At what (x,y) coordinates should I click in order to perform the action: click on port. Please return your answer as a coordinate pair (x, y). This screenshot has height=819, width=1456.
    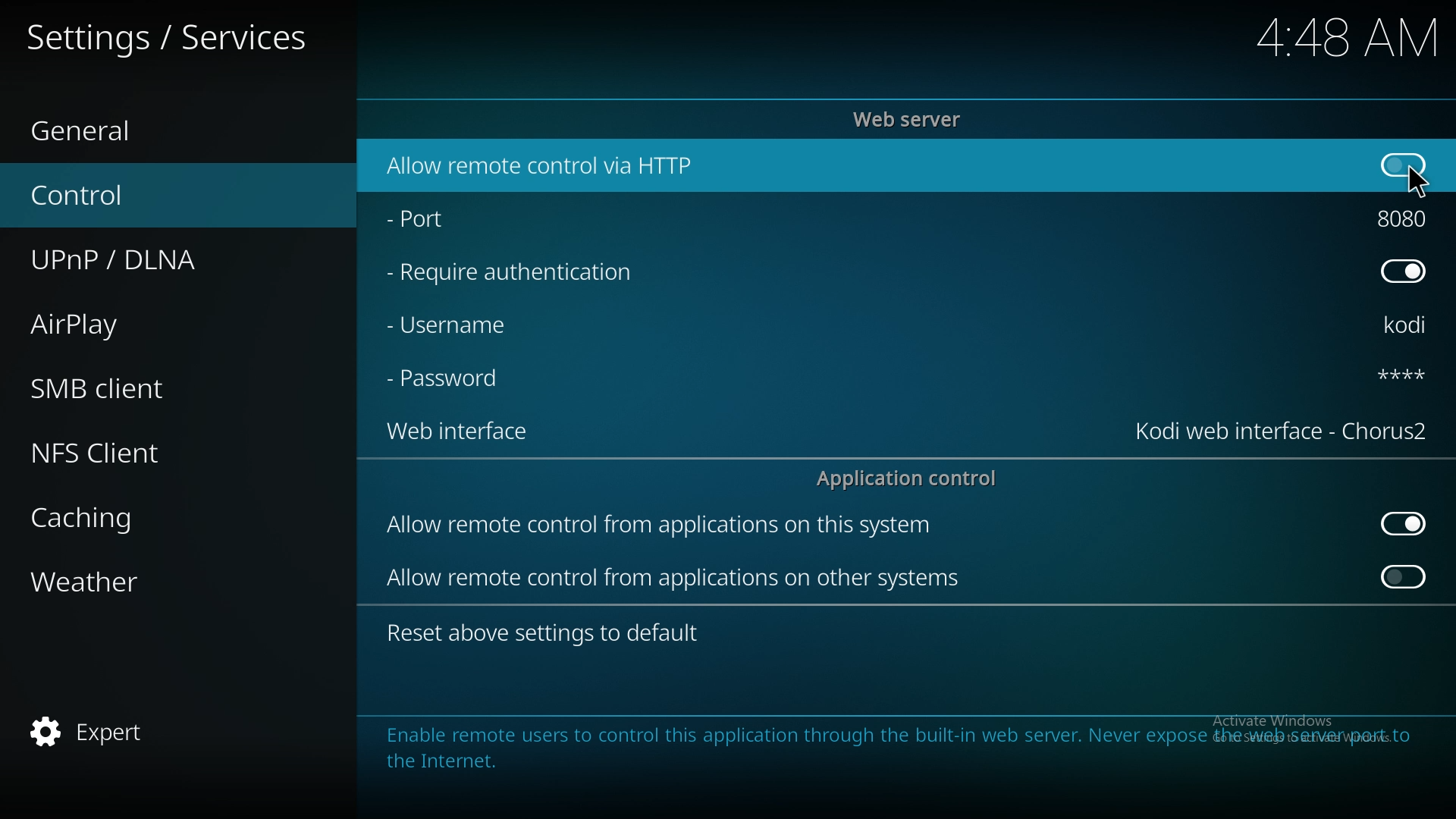
    Looking at the image, I should click on (1409, 218).